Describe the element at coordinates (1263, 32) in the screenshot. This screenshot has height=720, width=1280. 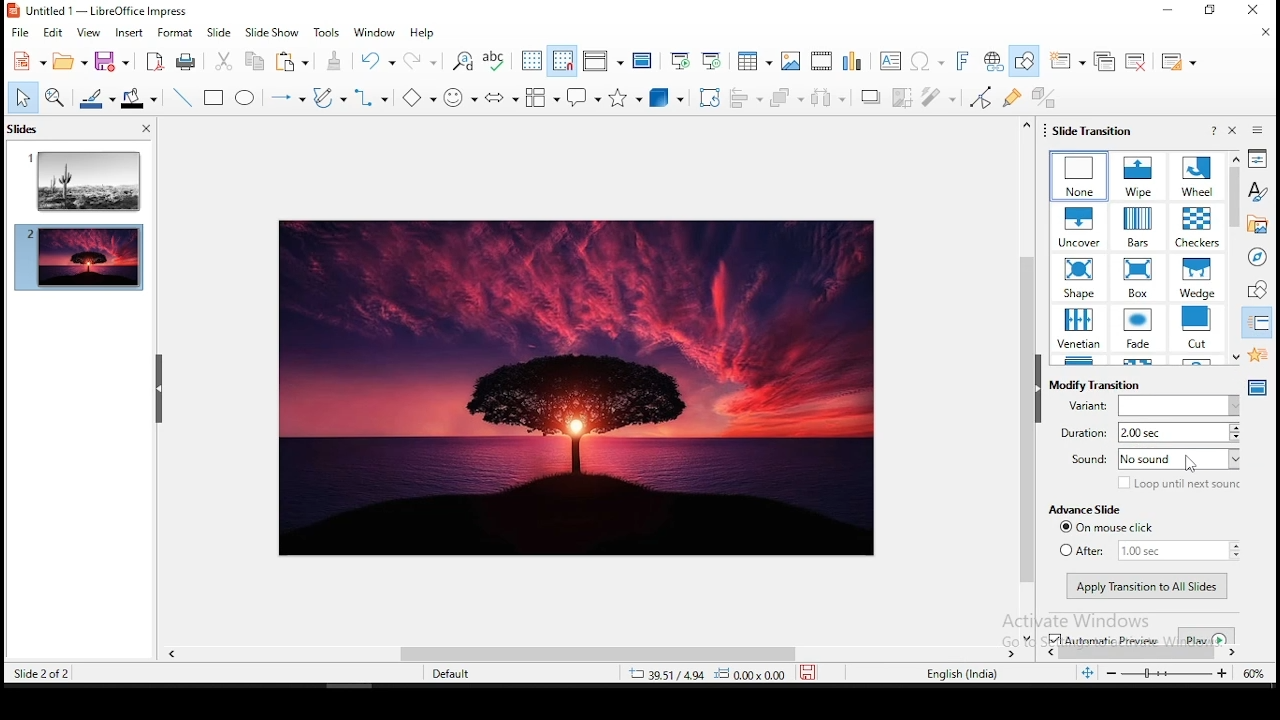
I see `close` at that location.